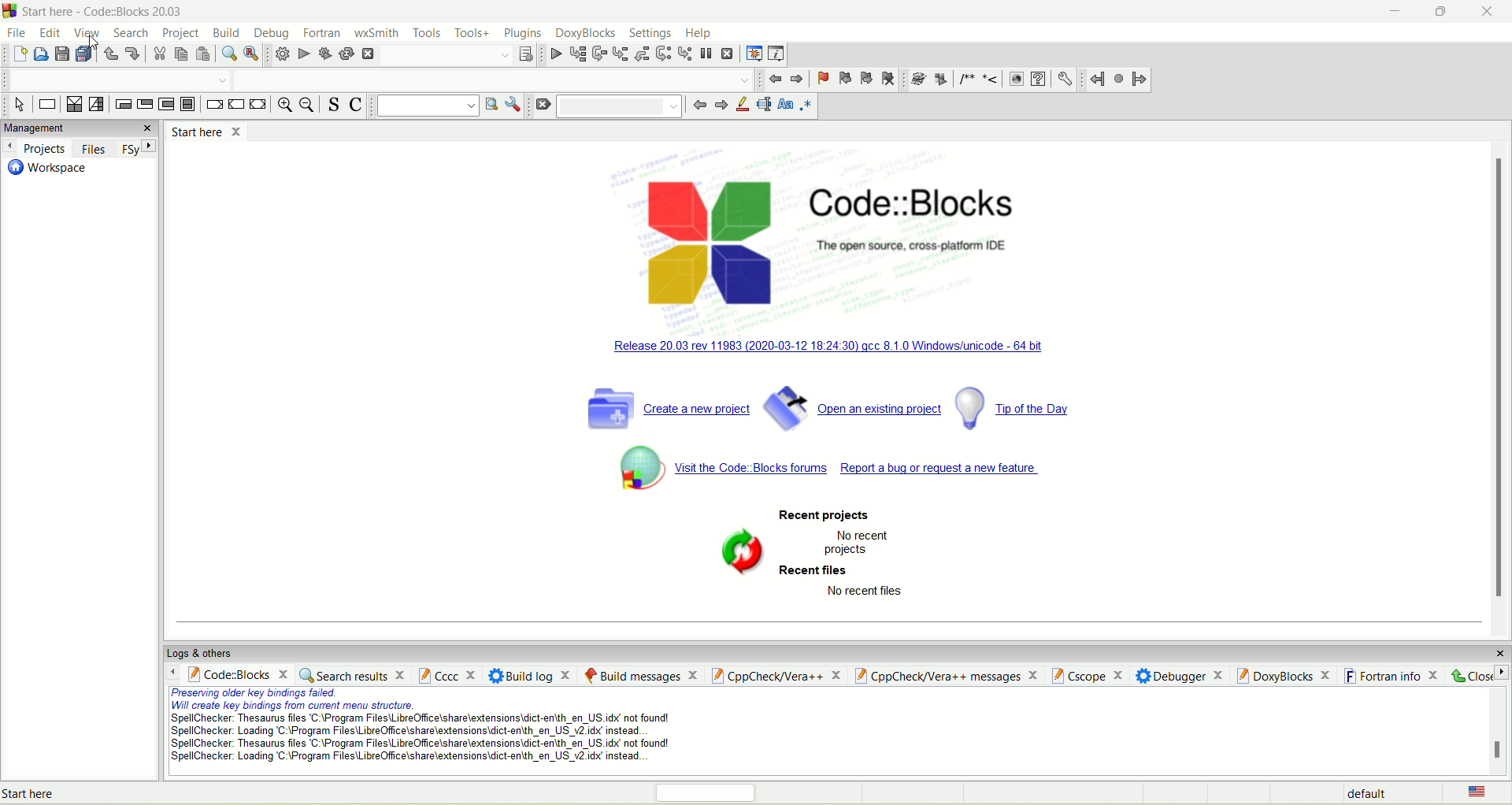  What do you see at coordinates (652, 35) in the screenshot?
I see `settings` at bounding box center [652, 35].